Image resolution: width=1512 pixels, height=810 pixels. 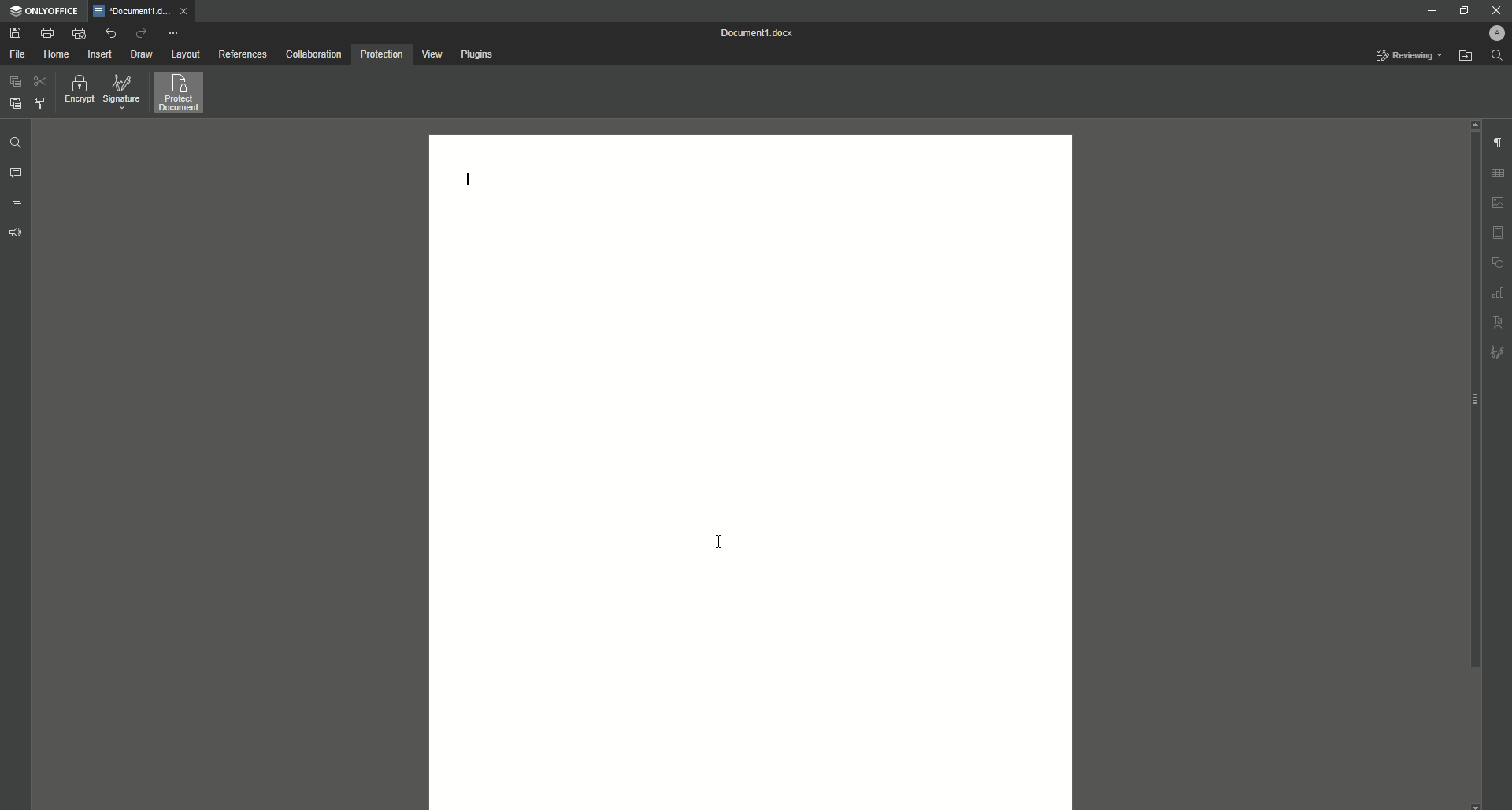 What do you see at coordinates (17, 54) in the screenshot?
I see `File` at bounding box center [17, 54].